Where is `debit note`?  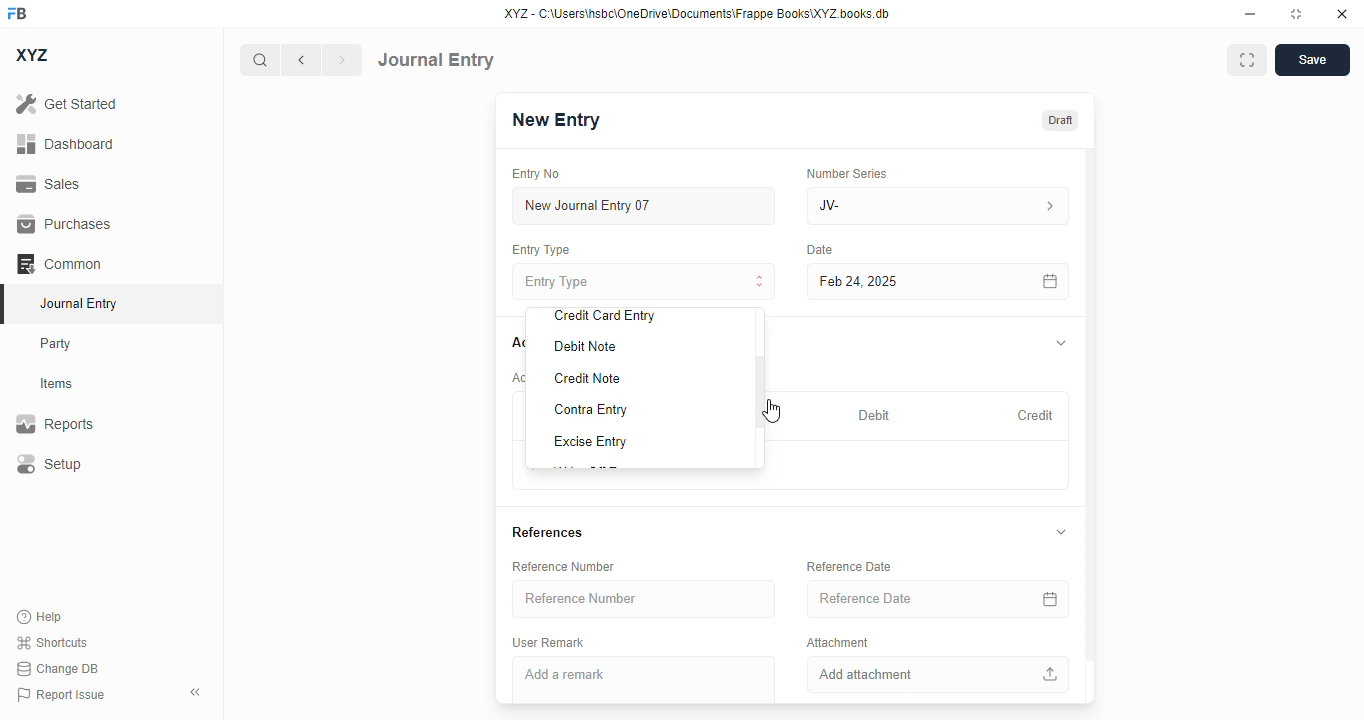 debit note is located at coordinates (586, 347).